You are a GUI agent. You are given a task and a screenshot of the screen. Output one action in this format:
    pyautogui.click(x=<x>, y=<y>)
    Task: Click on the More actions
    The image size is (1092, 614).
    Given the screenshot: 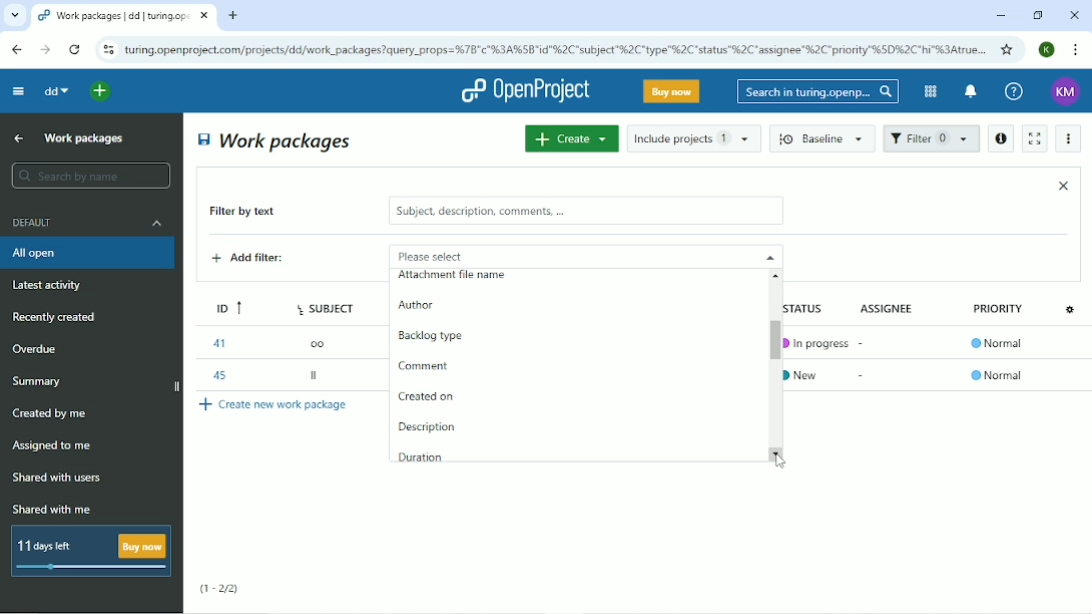 What is the action you would take?
    pyautogui.click(x=1070, y=139)
    